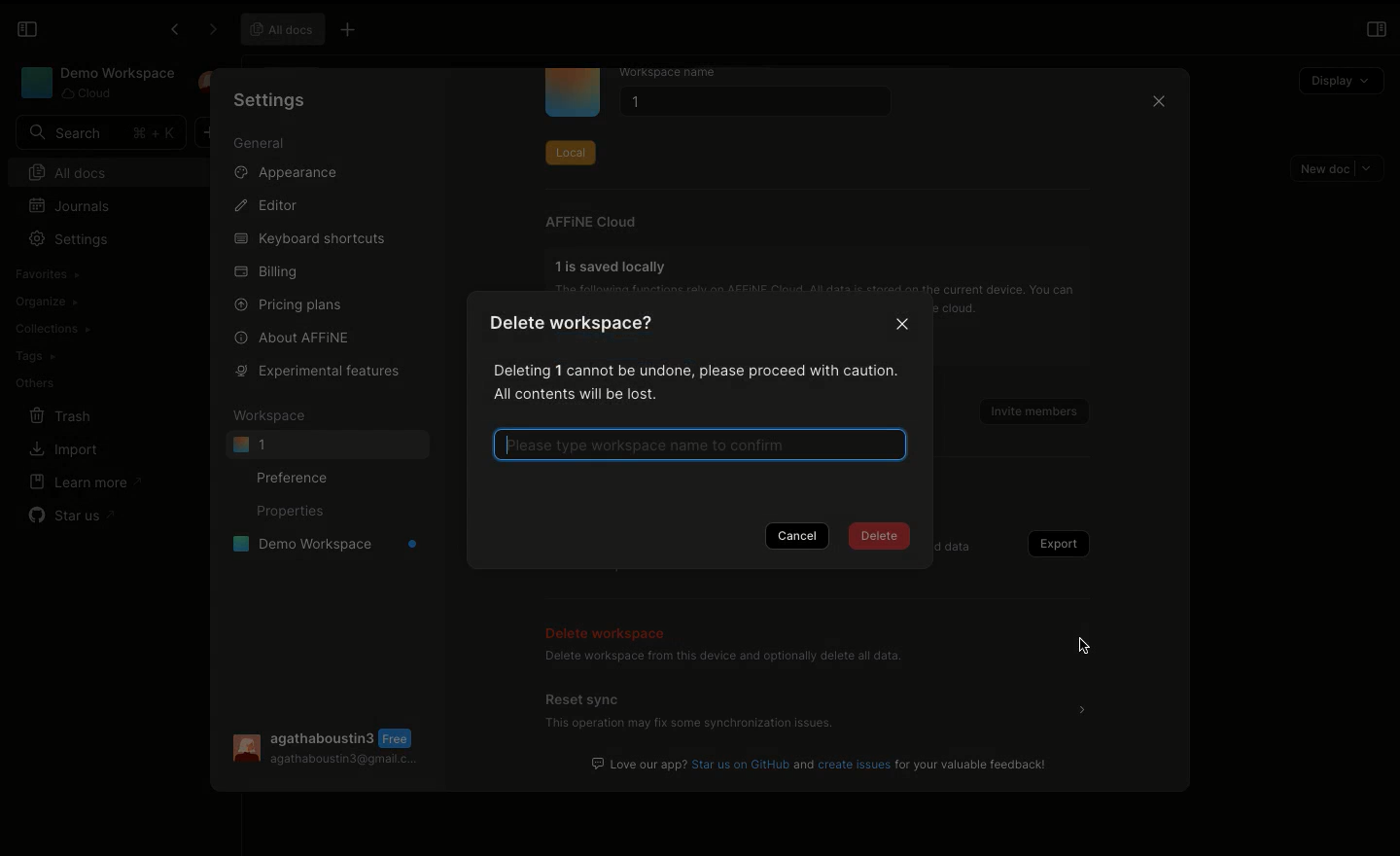 This screenshot has width=1400, height=856. What do you see at coordinates (591, 222) in the screenshot?
I see `AFFINE cloud` at bounding box center [591, 222].